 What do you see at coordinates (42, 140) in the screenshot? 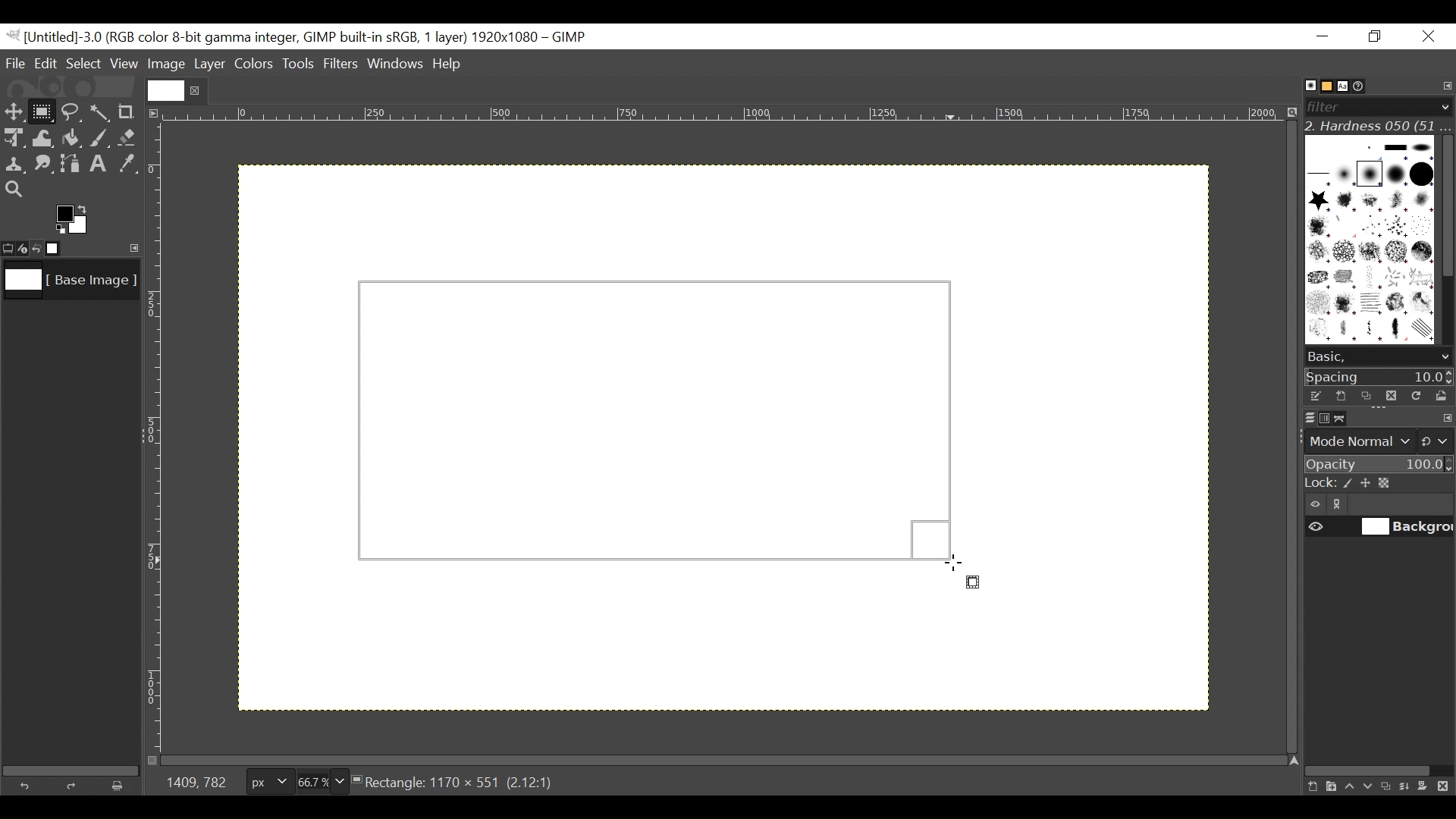
I see `Warp Transform` at bounding box center [42, 140].